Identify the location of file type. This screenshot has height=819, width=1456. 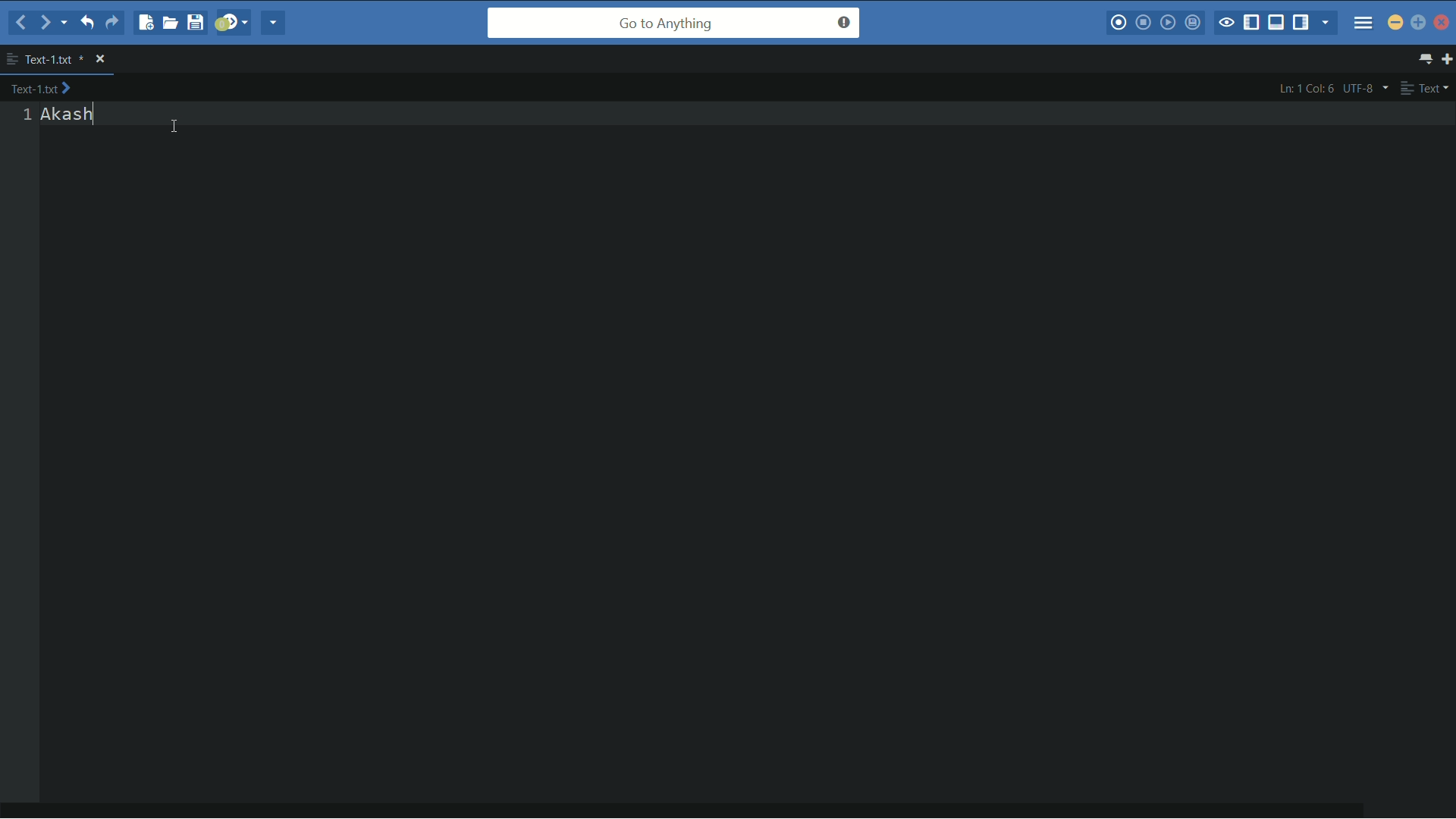
(1426, 87).